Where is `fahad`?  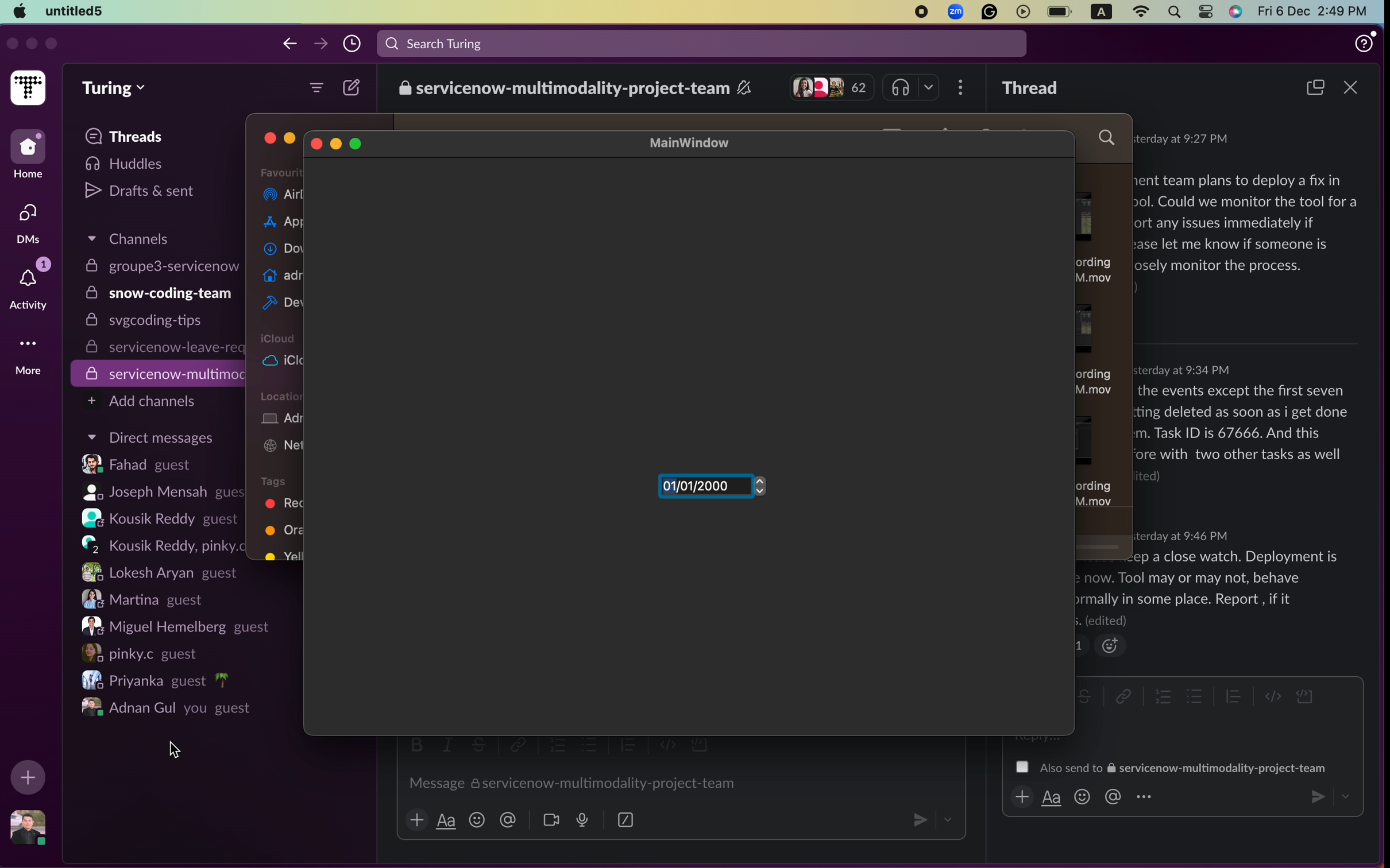 fahad is located at coordinates (147, 465).